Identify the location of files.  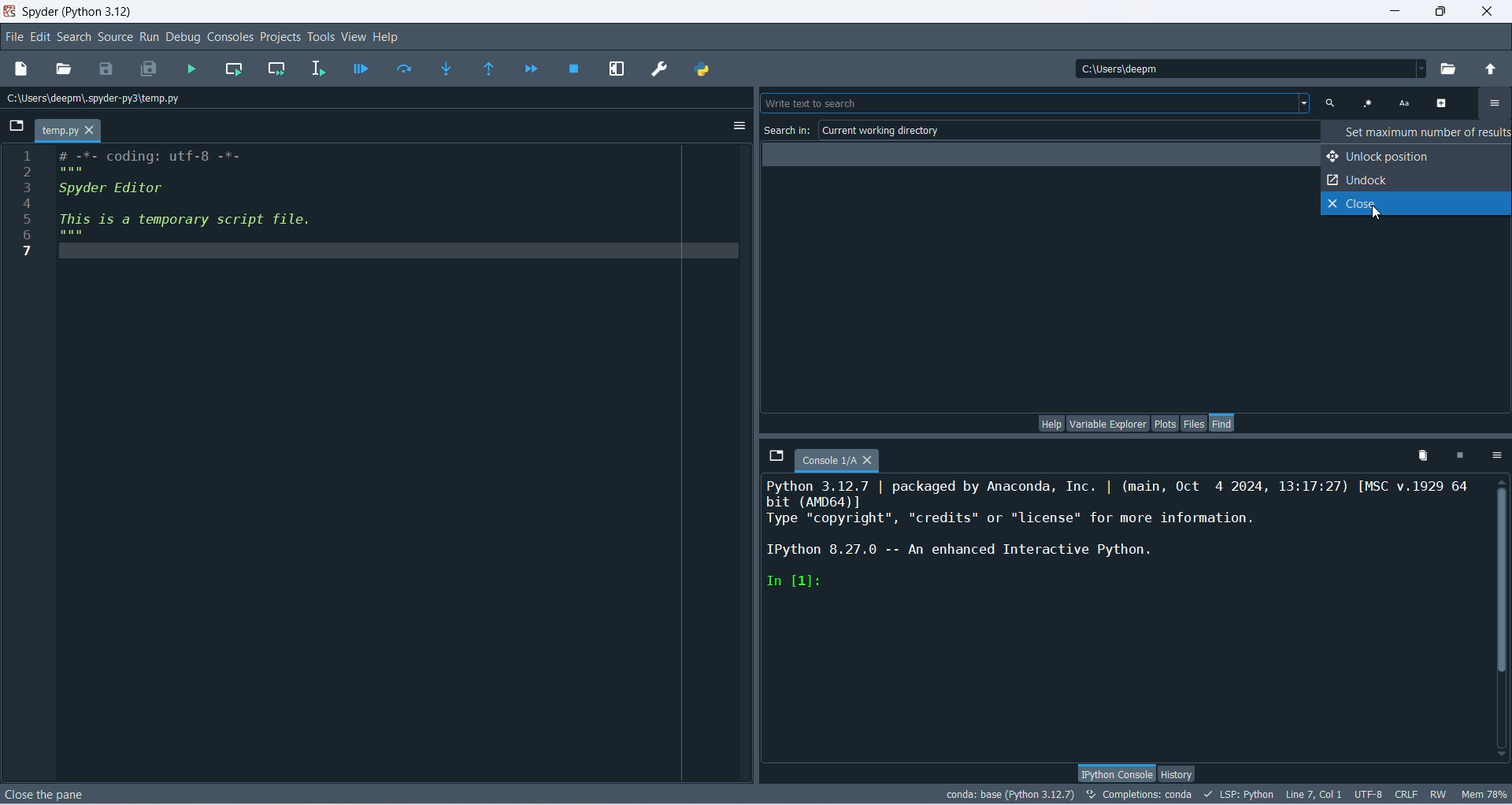
(1195, 423).